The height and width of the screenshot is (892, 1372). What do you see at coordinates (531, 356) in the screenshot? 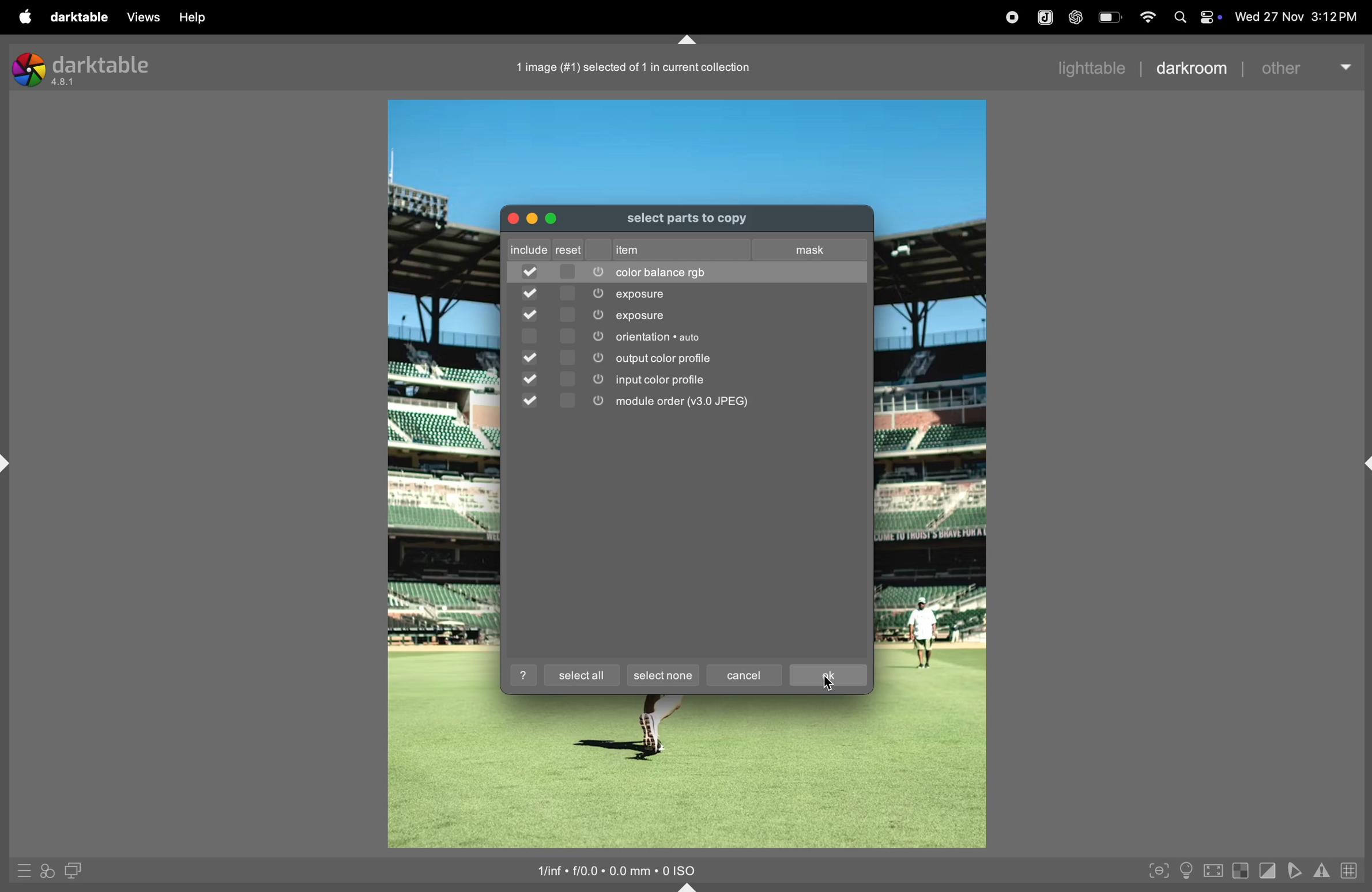
I see `check box` at bounding box center [531, 356].